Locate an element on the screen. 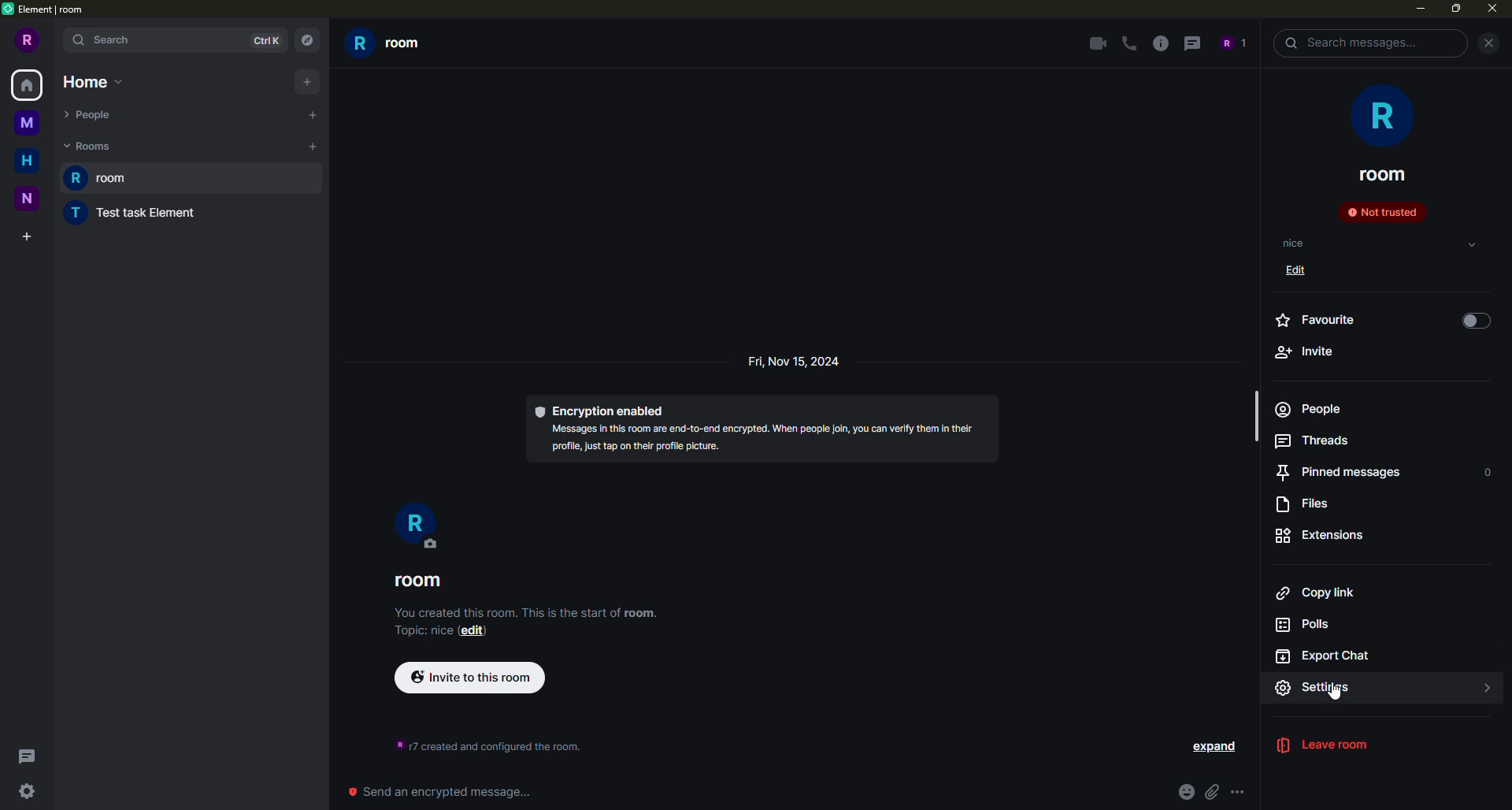 This screenshot has width=1512, height=810. date is located at coordinates (792, 362).